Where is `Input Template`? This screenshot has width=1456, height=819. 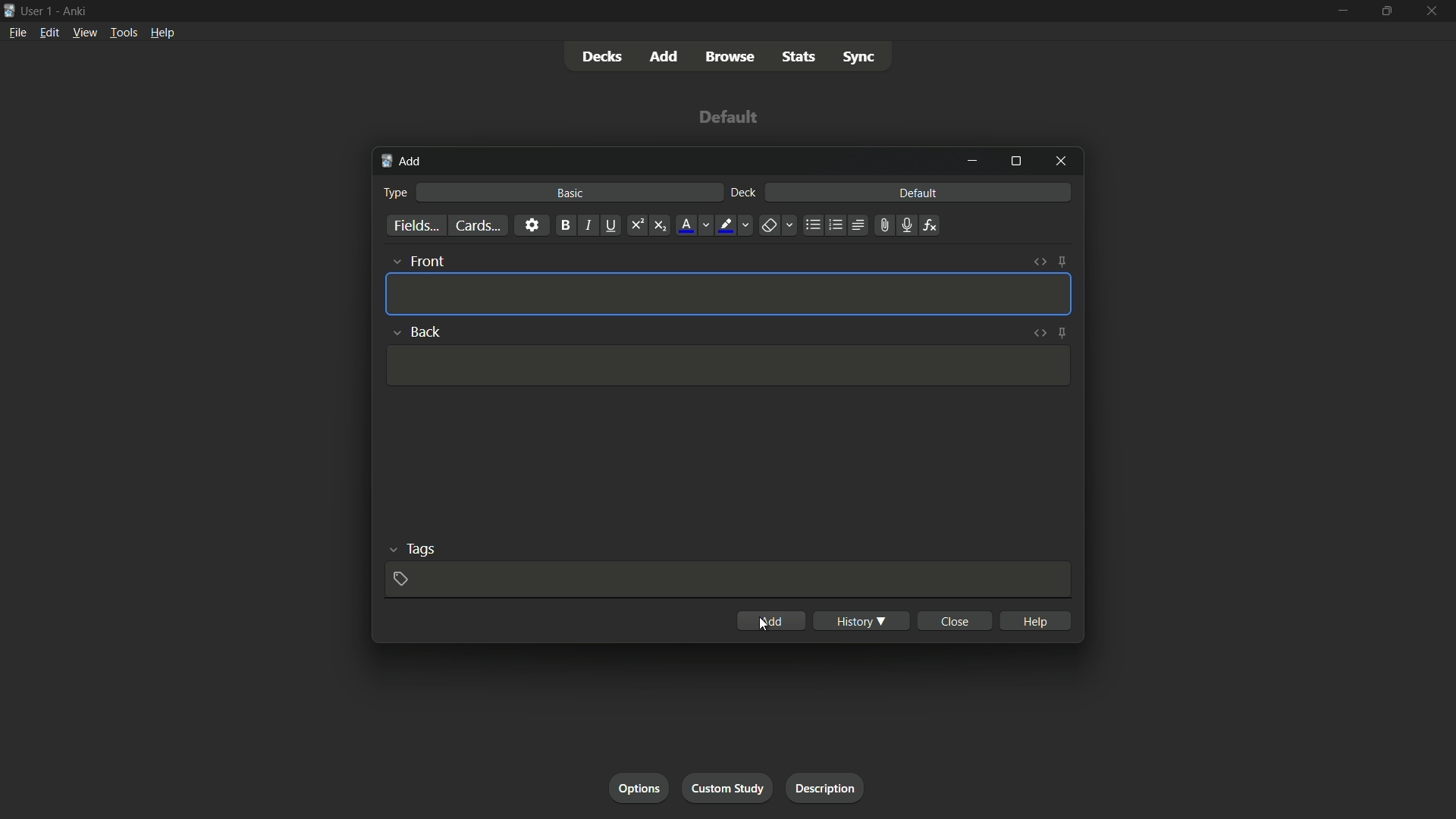 Input Template is located at coordinates (729, 293).